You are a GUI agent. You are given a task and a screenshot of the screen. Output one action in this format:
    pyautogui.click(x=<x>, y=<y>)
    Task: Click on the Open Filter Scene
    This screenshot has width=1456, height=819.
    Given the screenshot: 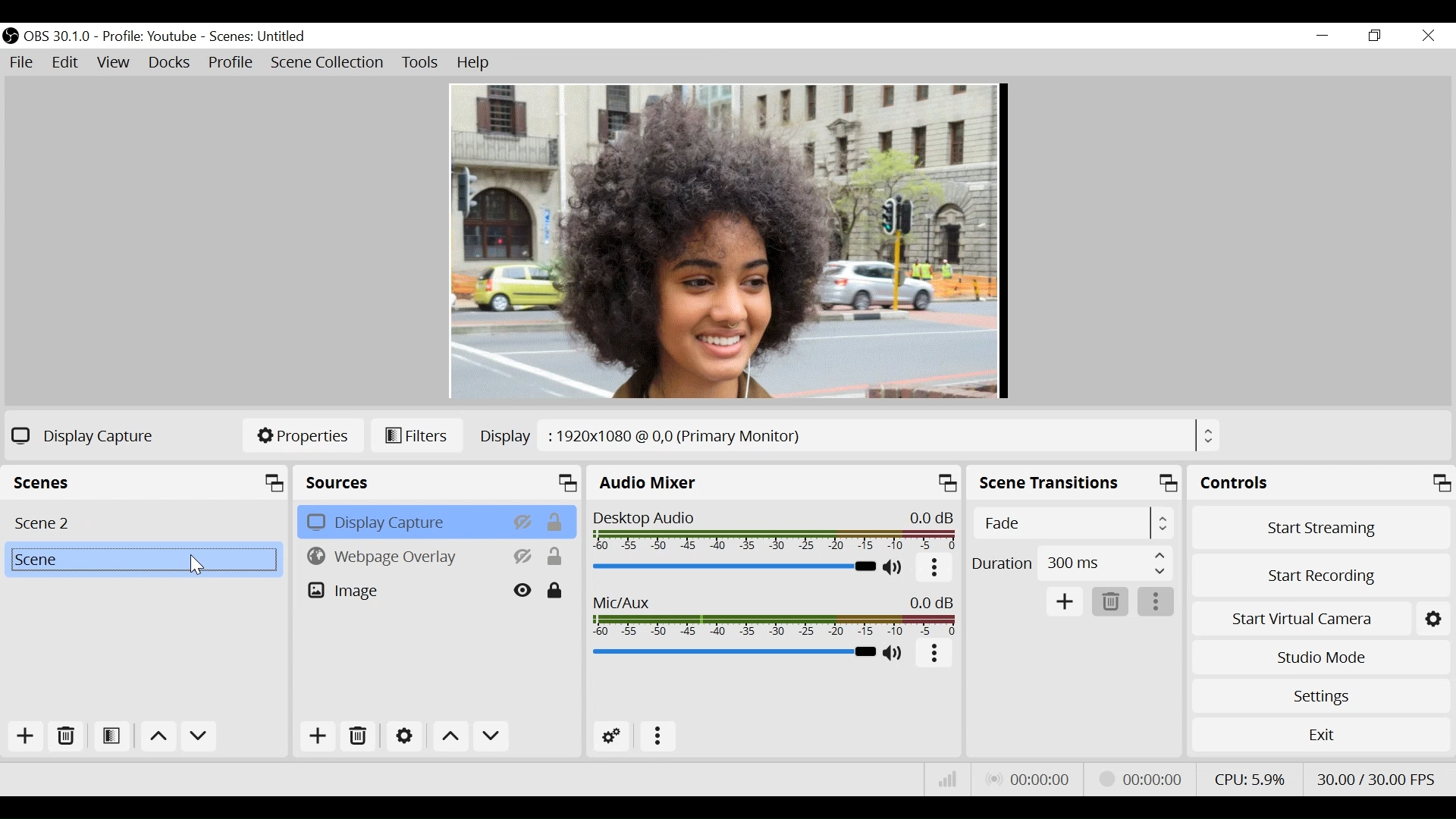 What is the action you would take?
    pyautogui.click(x=113, y=736)
    